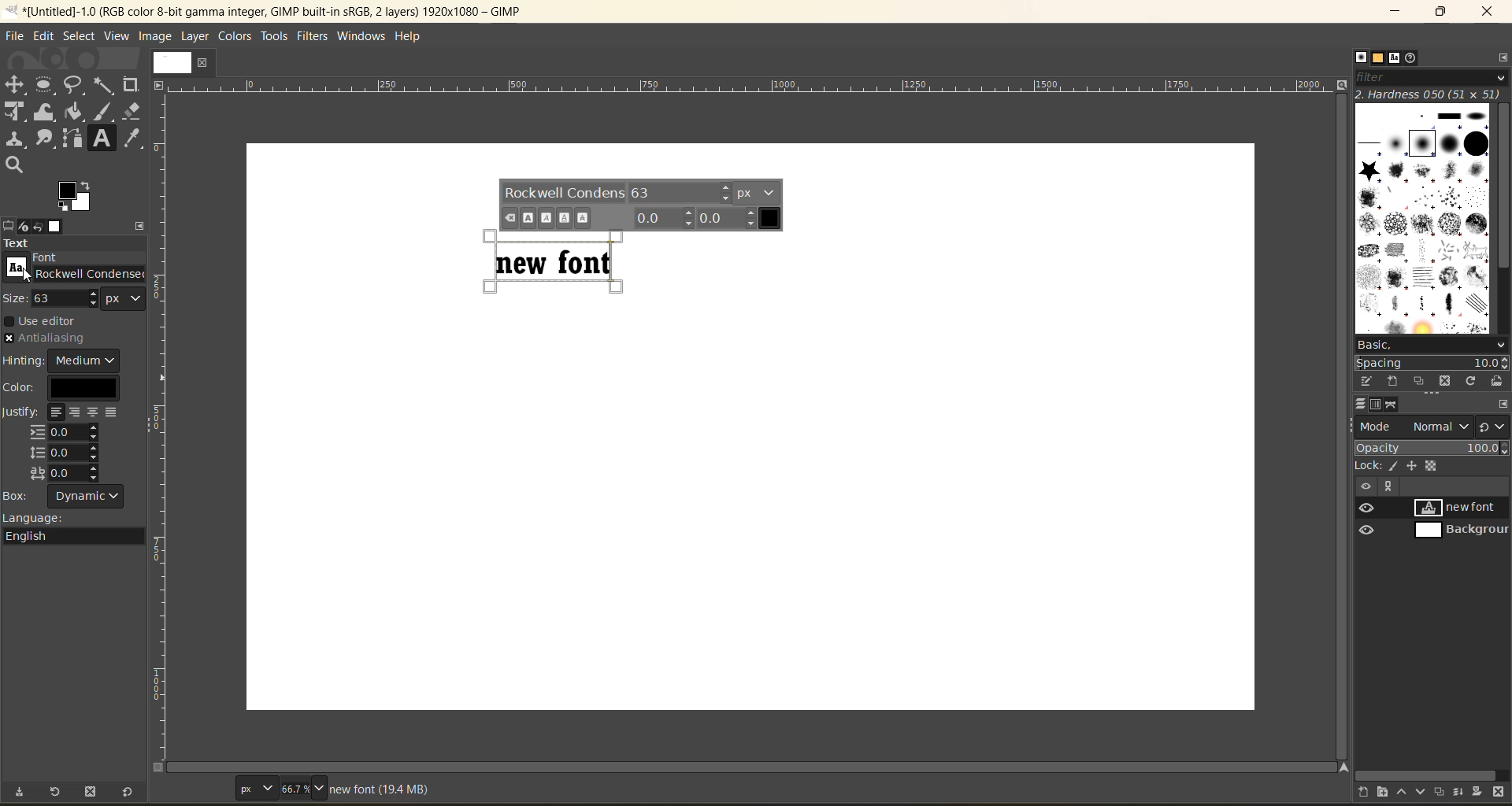 The height and width of the screenshot is (806, 1512). What do you see at coordinates (143, 225) in the screenshot?
I see `configure` at bounding box center [143, 225].